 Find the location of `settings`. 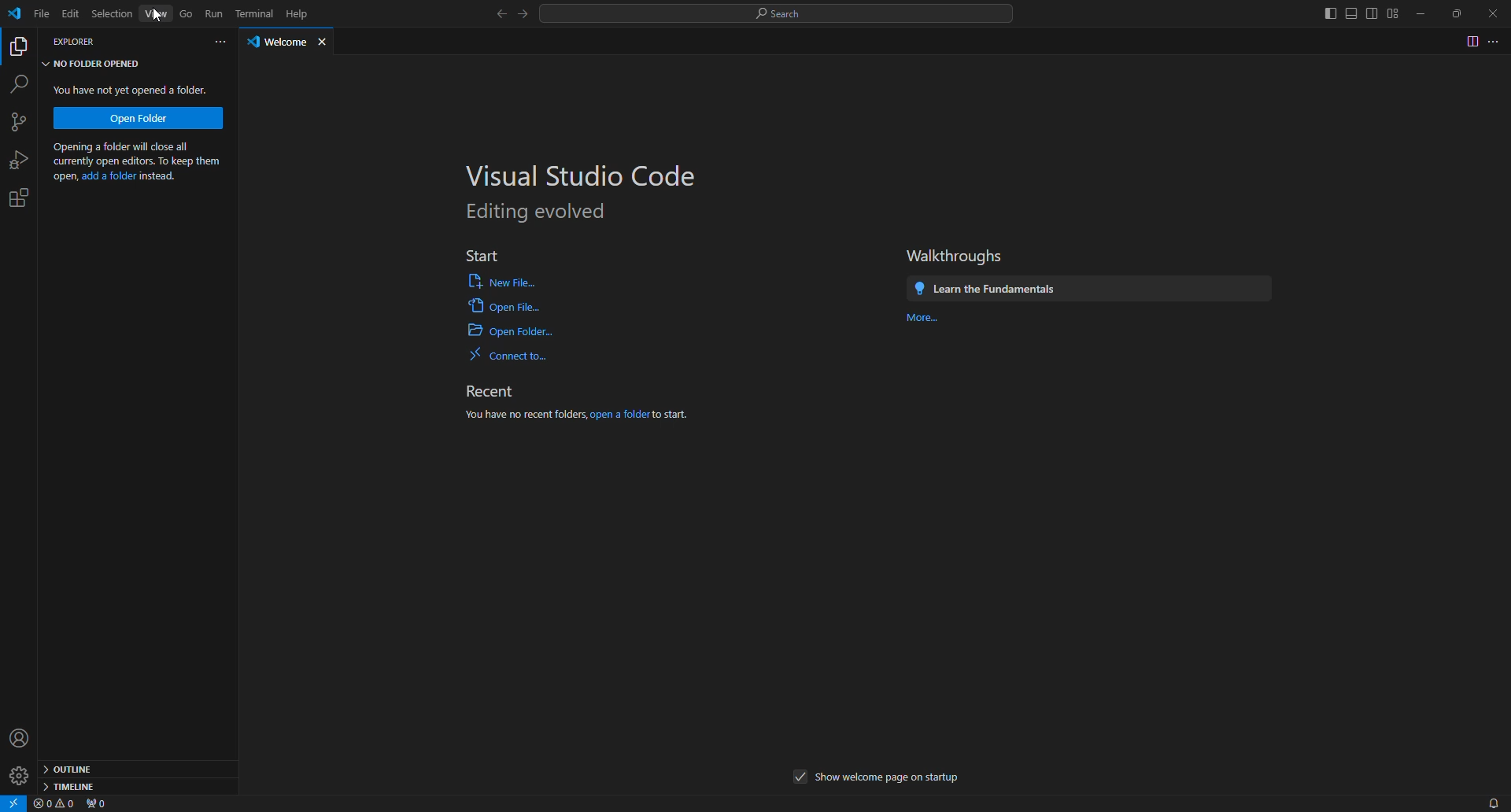

settings is located at coordinates (18, 775).